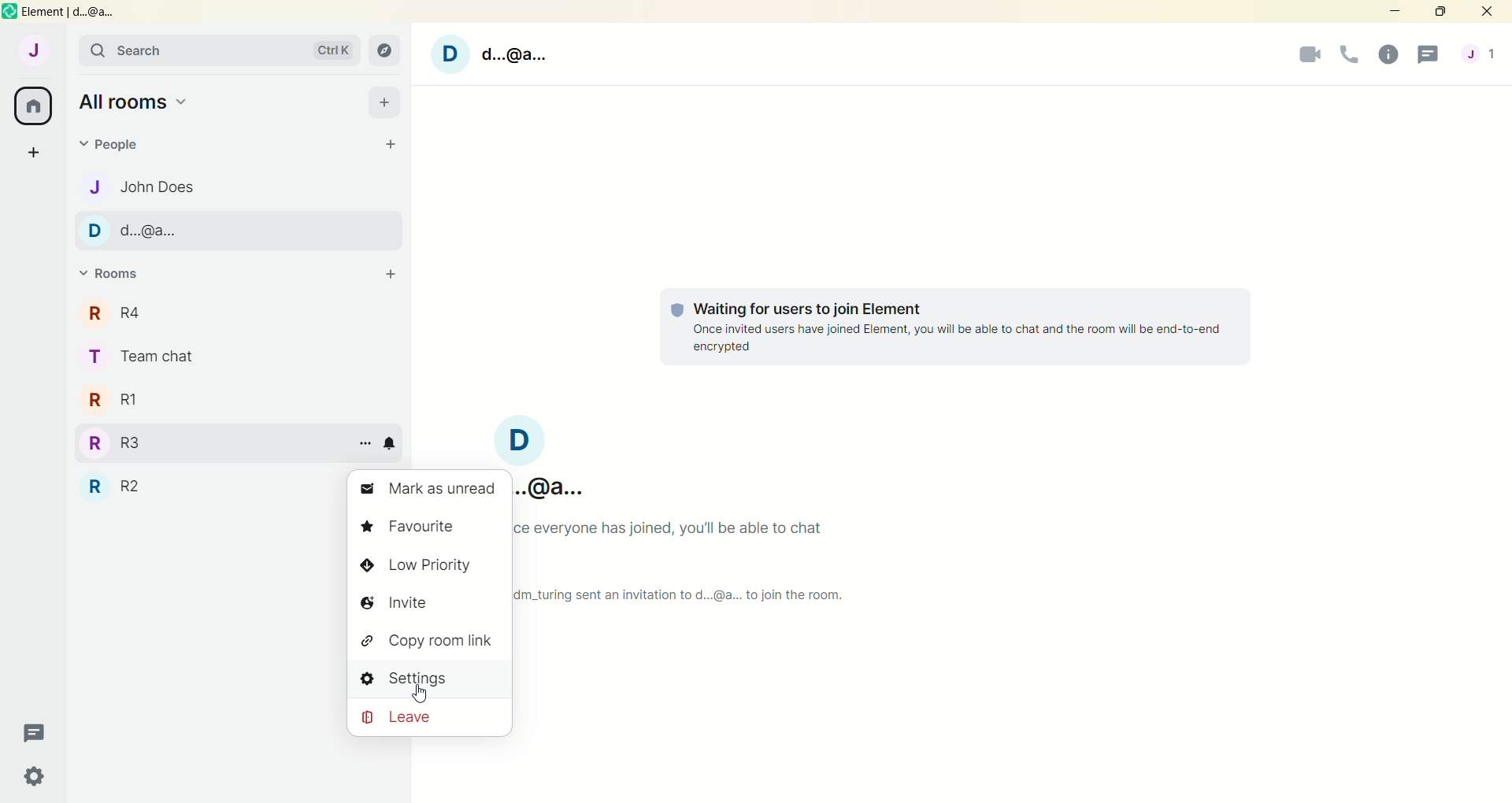  I want to click on minimize, so click(1398, 14).